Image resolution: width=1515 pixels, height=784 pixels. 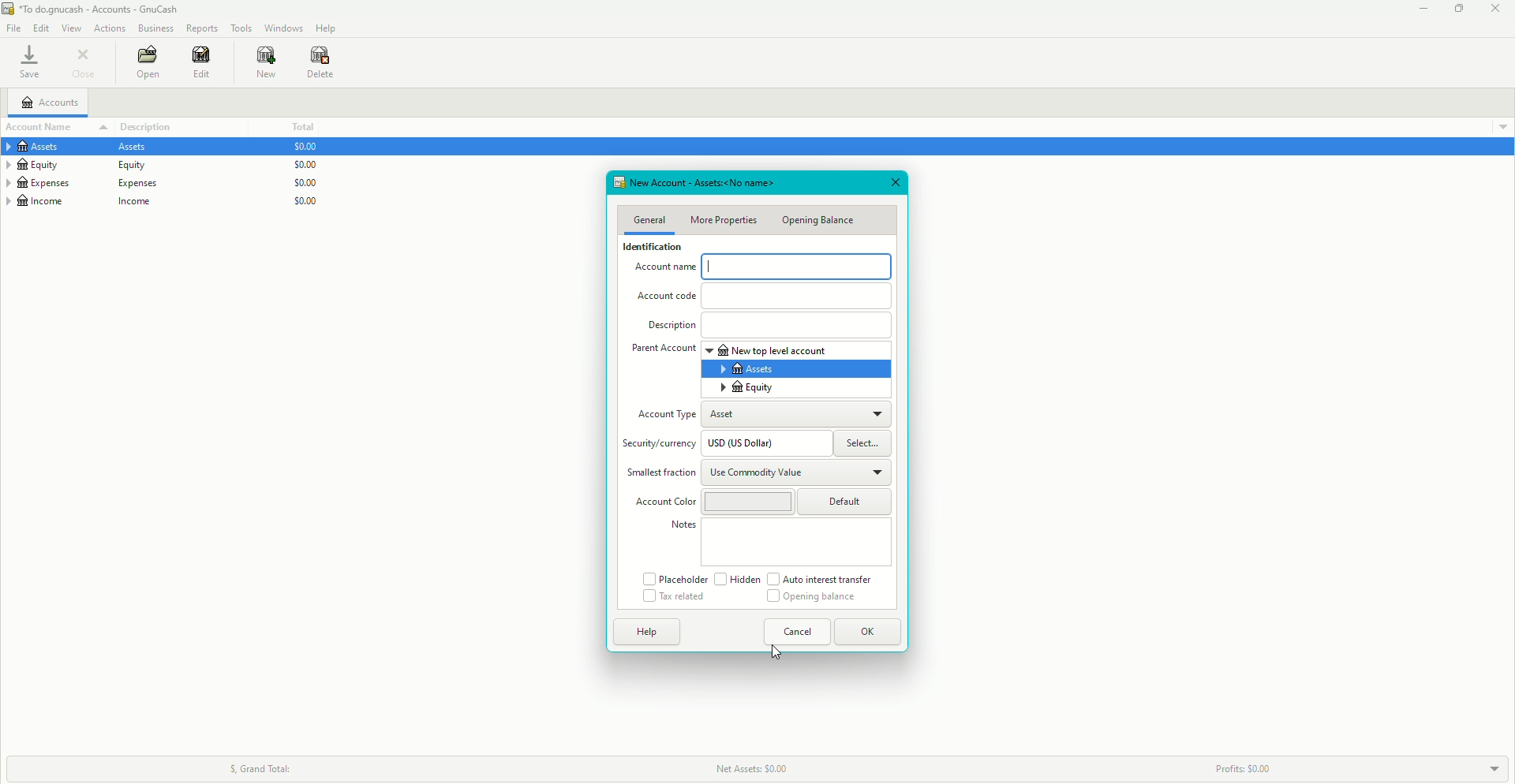 What do you see at coordinates (798, 632) in the screenshot?
I see `Cancel` at bounding box center [798, 632].